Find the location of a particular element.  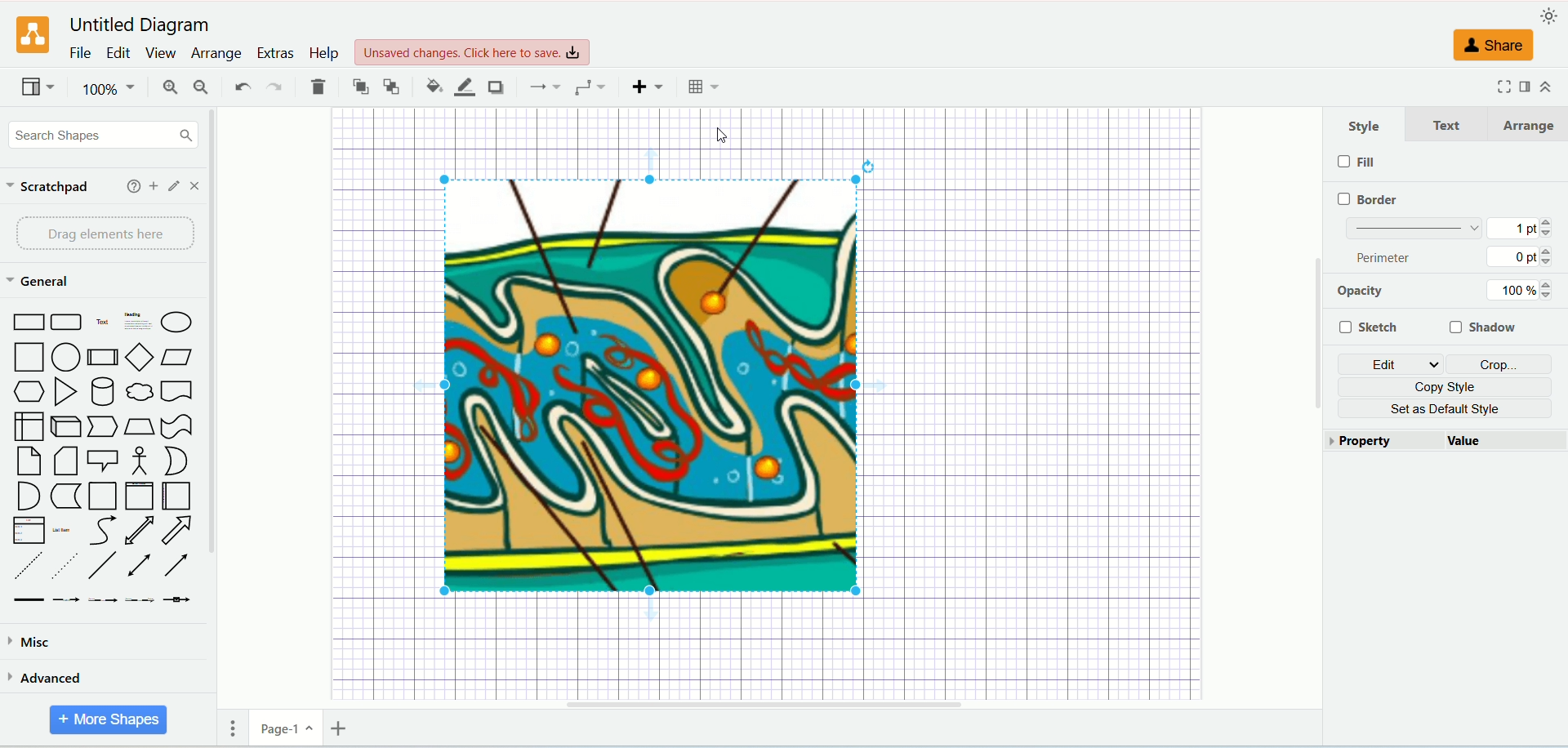

Vertical Scroll Bar is located at coordinates (1313, 401).